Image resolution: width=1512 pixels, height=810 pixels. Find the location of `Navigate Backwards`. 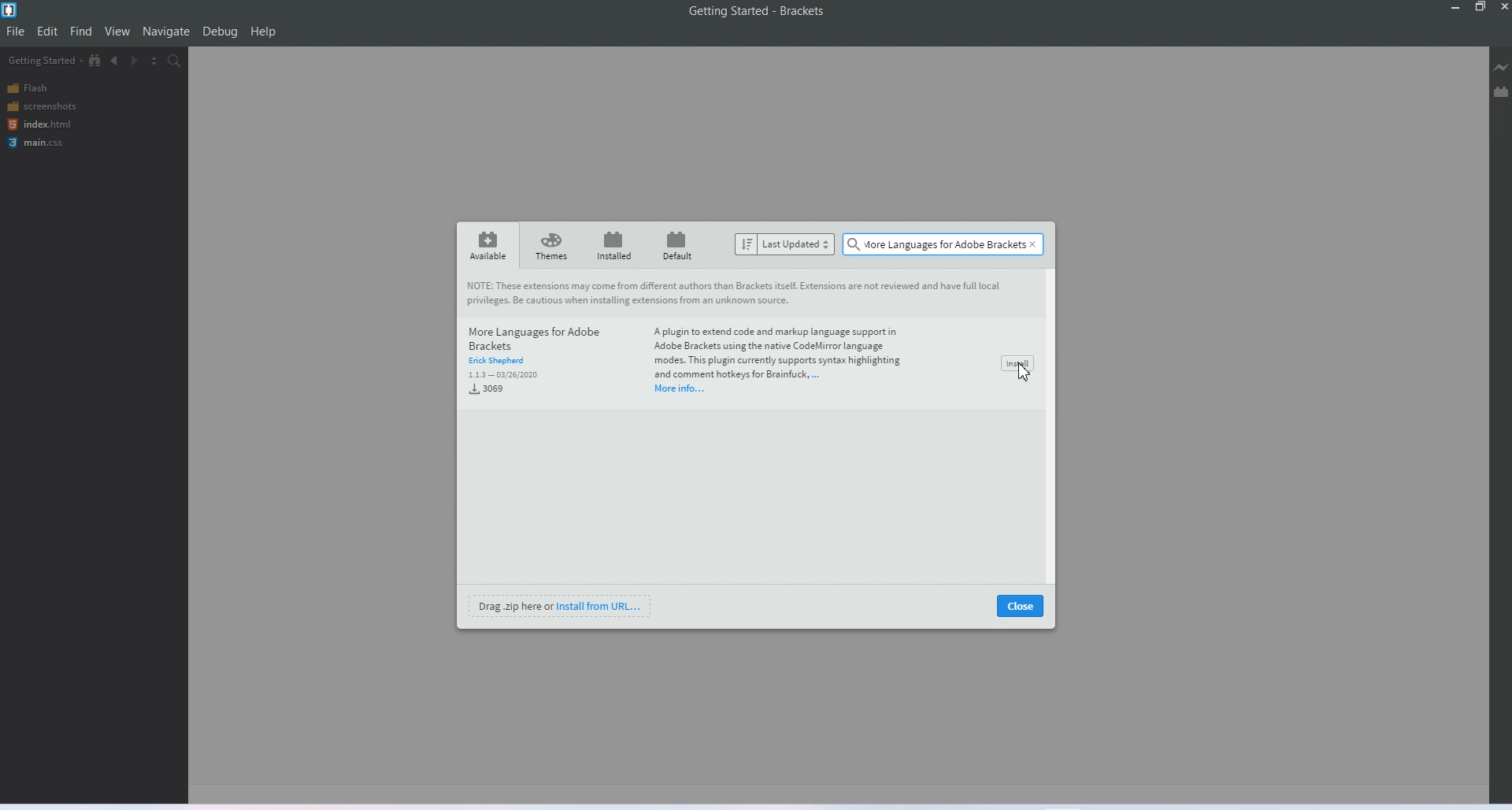

Navigate Backwards is located at coordinates (116, 61).